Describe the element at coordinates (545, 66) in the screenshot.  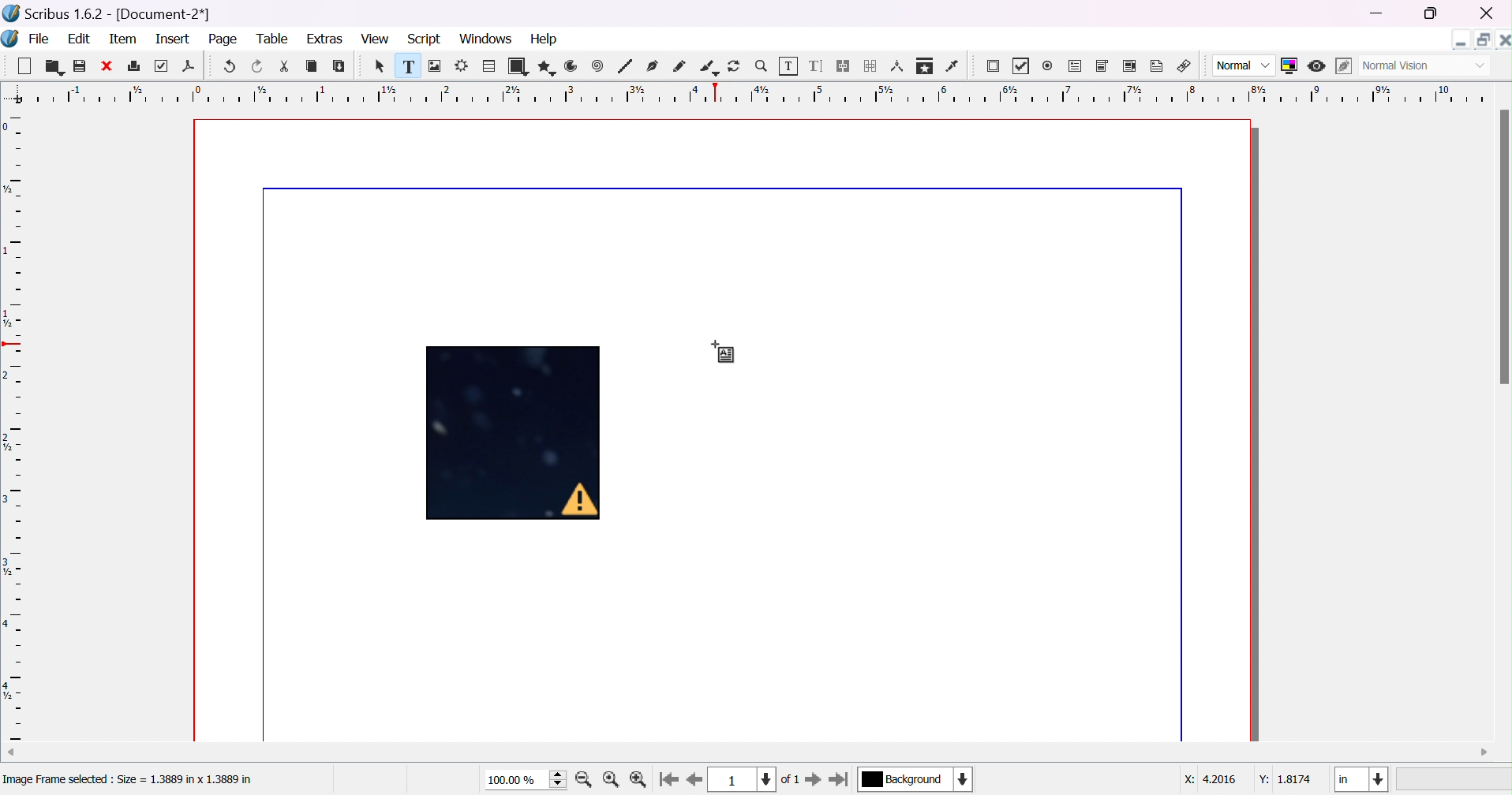
I see `polygon` at that location.